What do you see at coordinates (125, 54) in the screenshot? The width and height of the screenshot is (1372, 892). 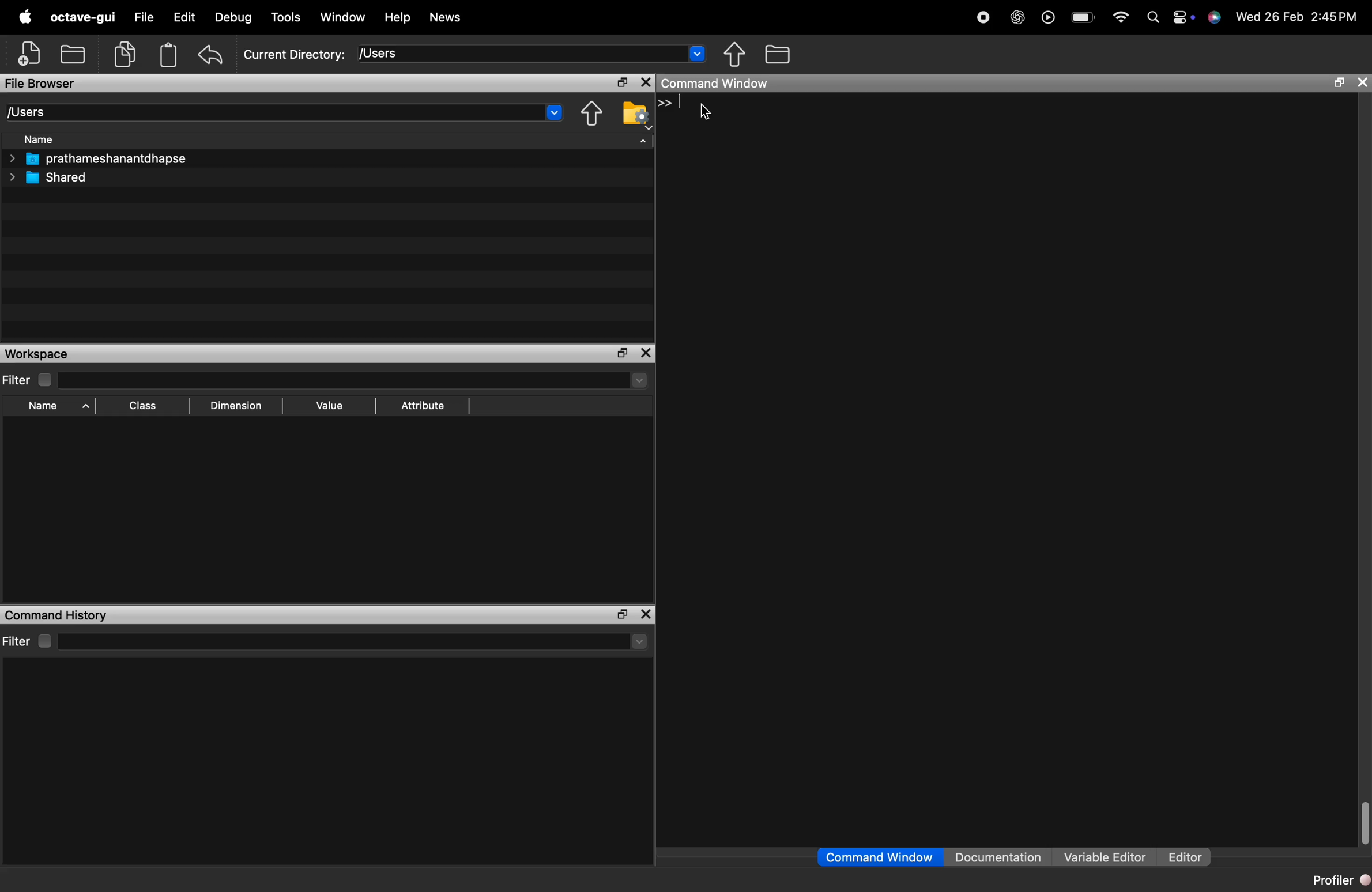 I see `copy` at bounding box center [125, 54].